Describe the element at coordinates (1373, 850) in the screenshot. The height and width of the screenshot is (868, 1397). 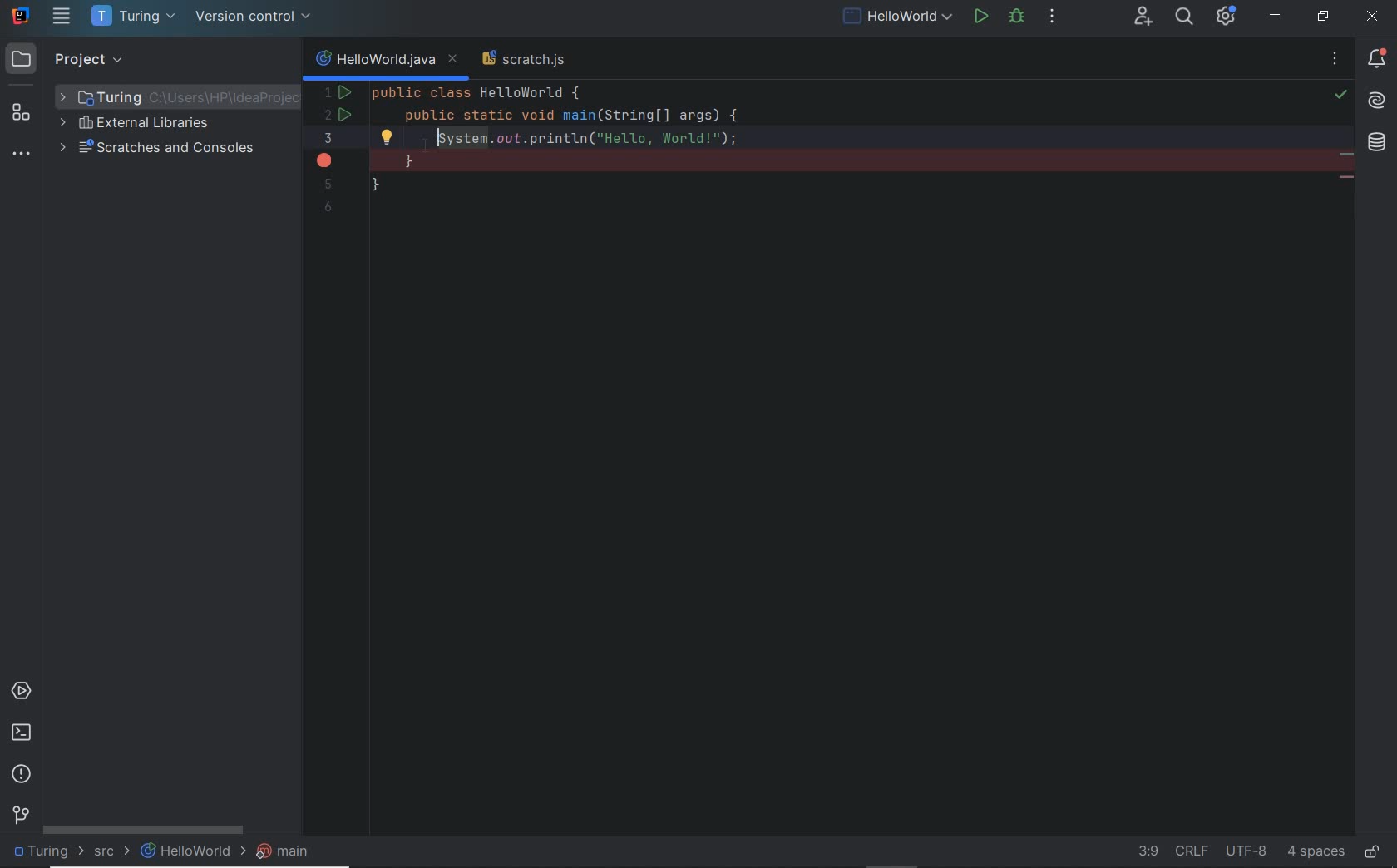
I see `make file ready only` at that location.